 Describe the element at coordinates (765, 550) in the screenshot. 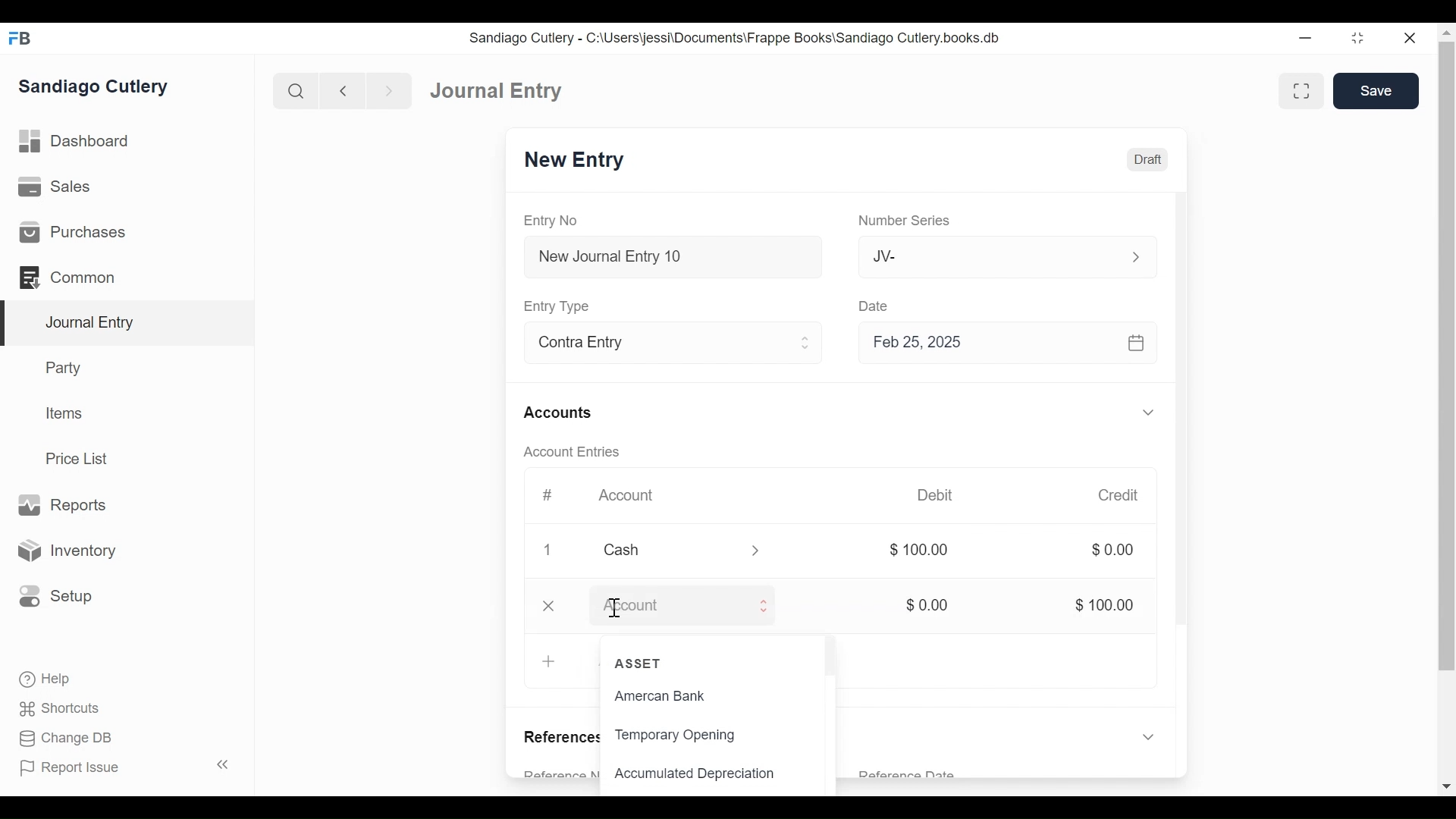

I see `Expand` at that location.